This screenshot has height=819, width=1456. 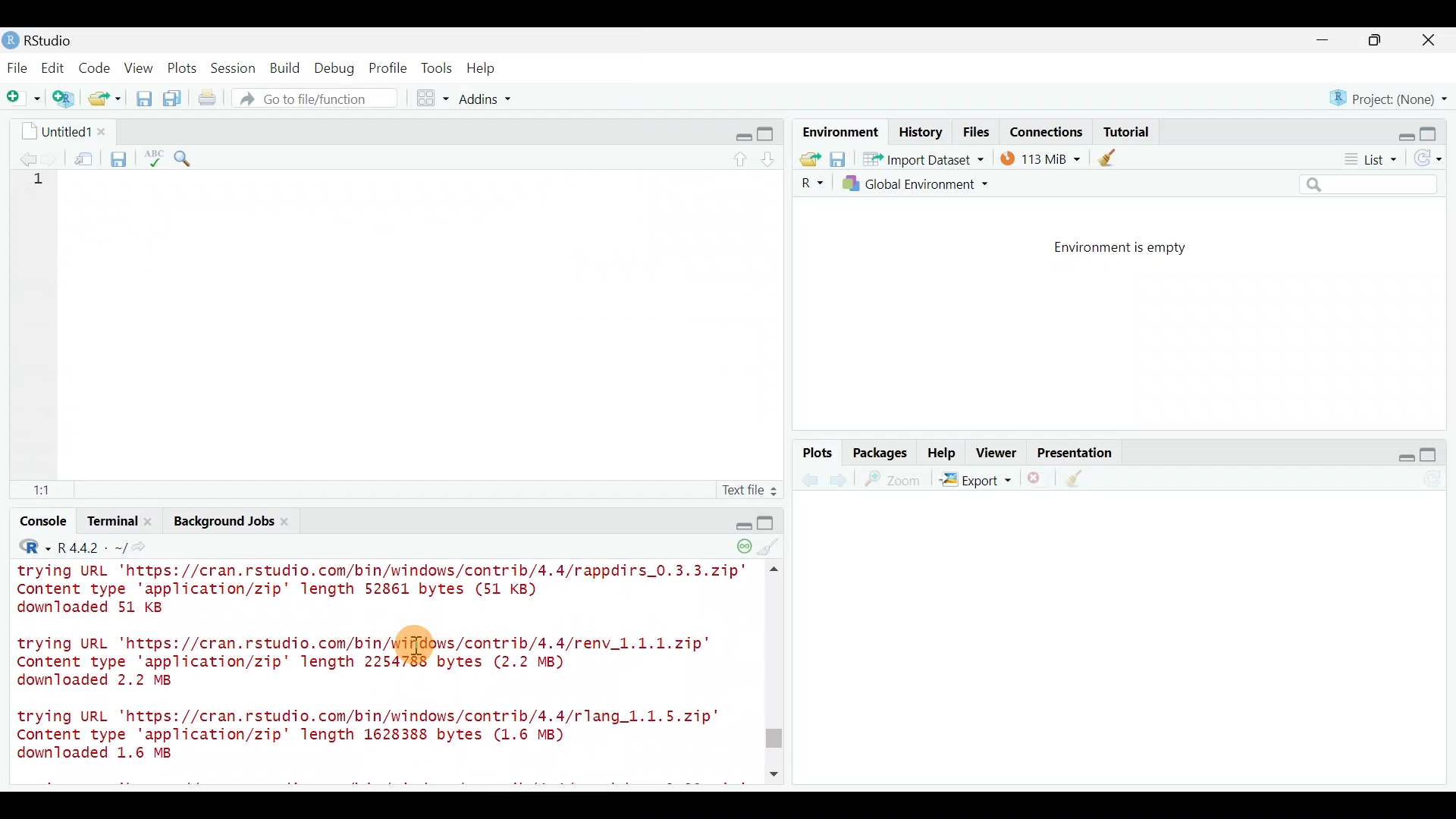 I want to click on Maximize, so click(x=1436, y=130).